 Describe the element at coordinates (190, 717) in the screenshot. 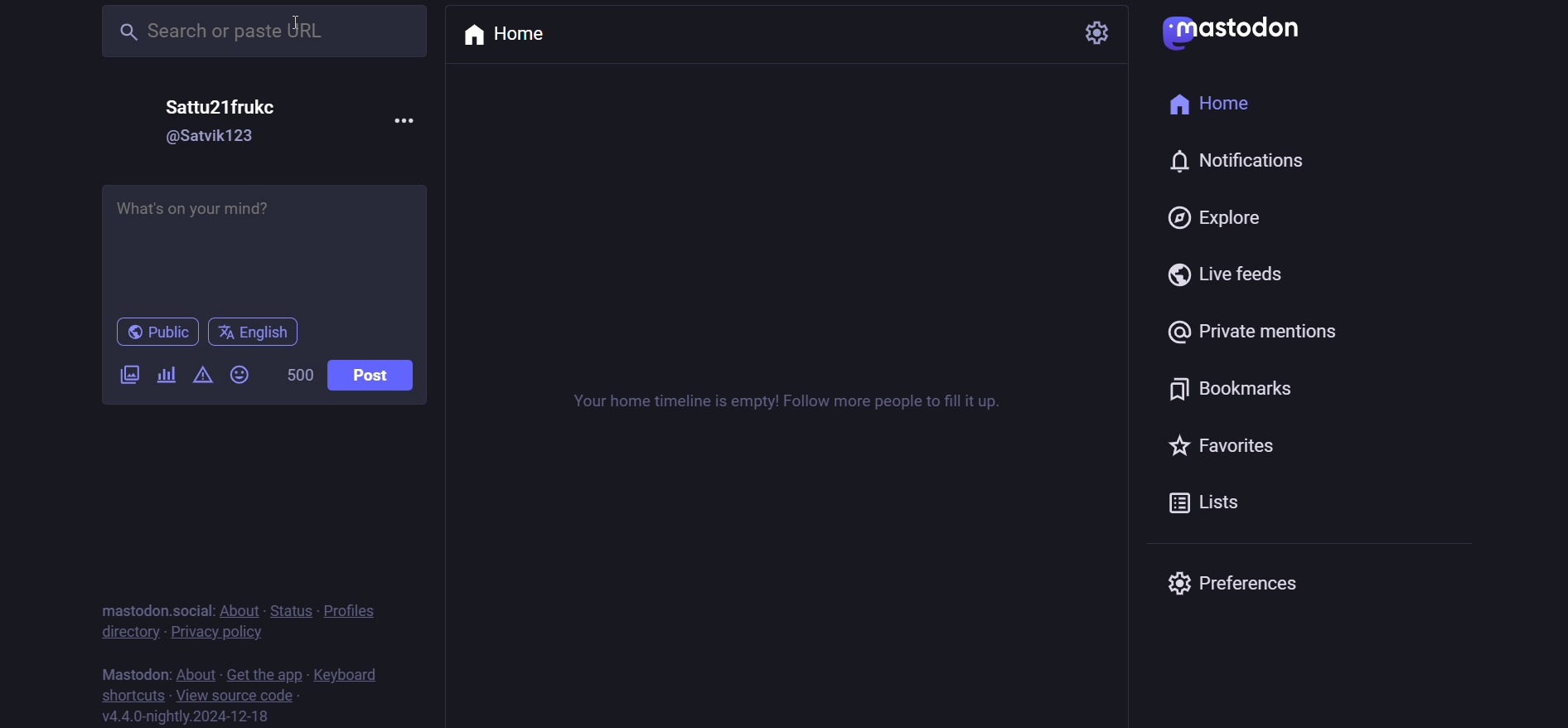

I see `version` at that location.